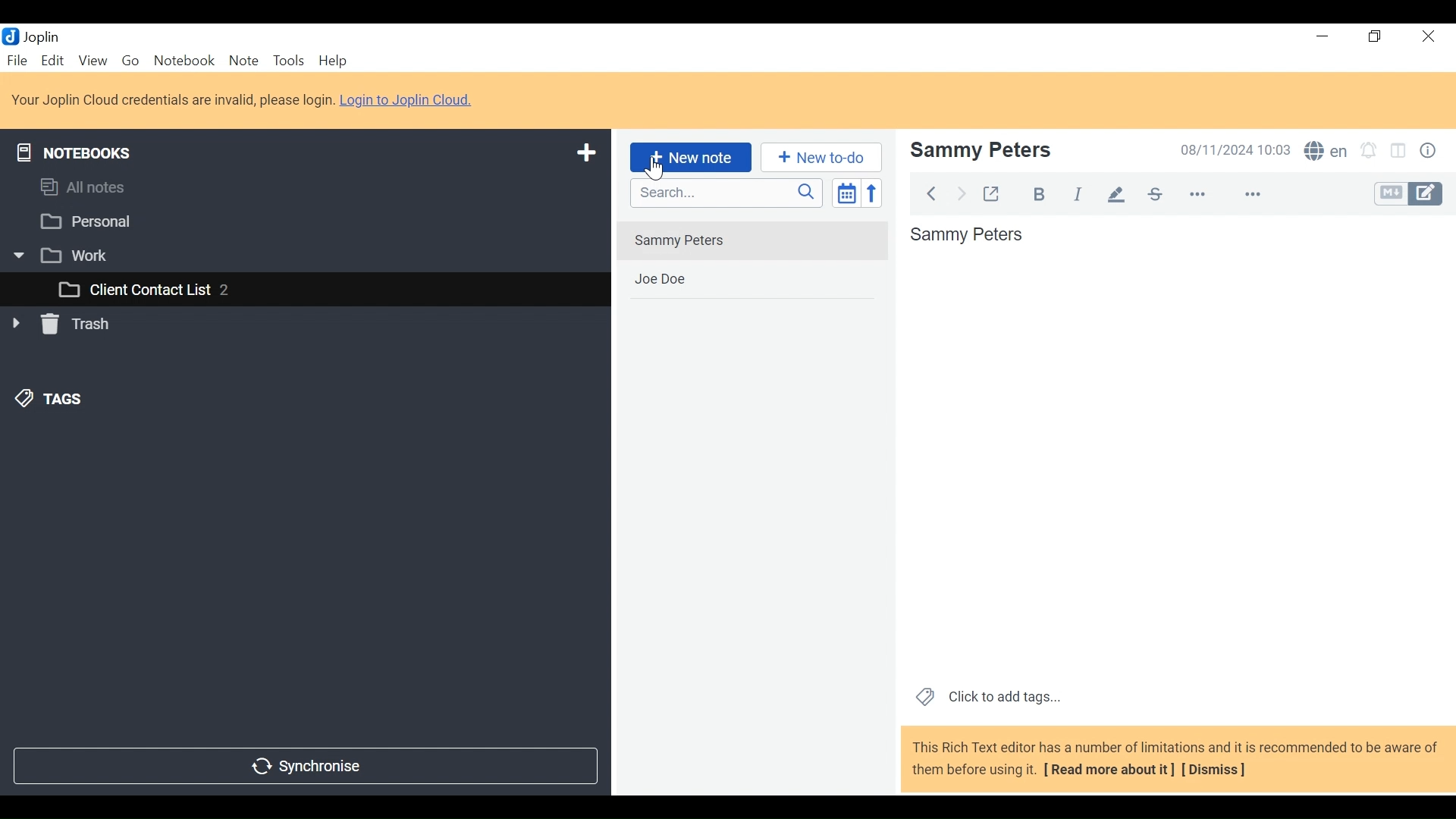  I want to click on Tags, so click(46, 401).